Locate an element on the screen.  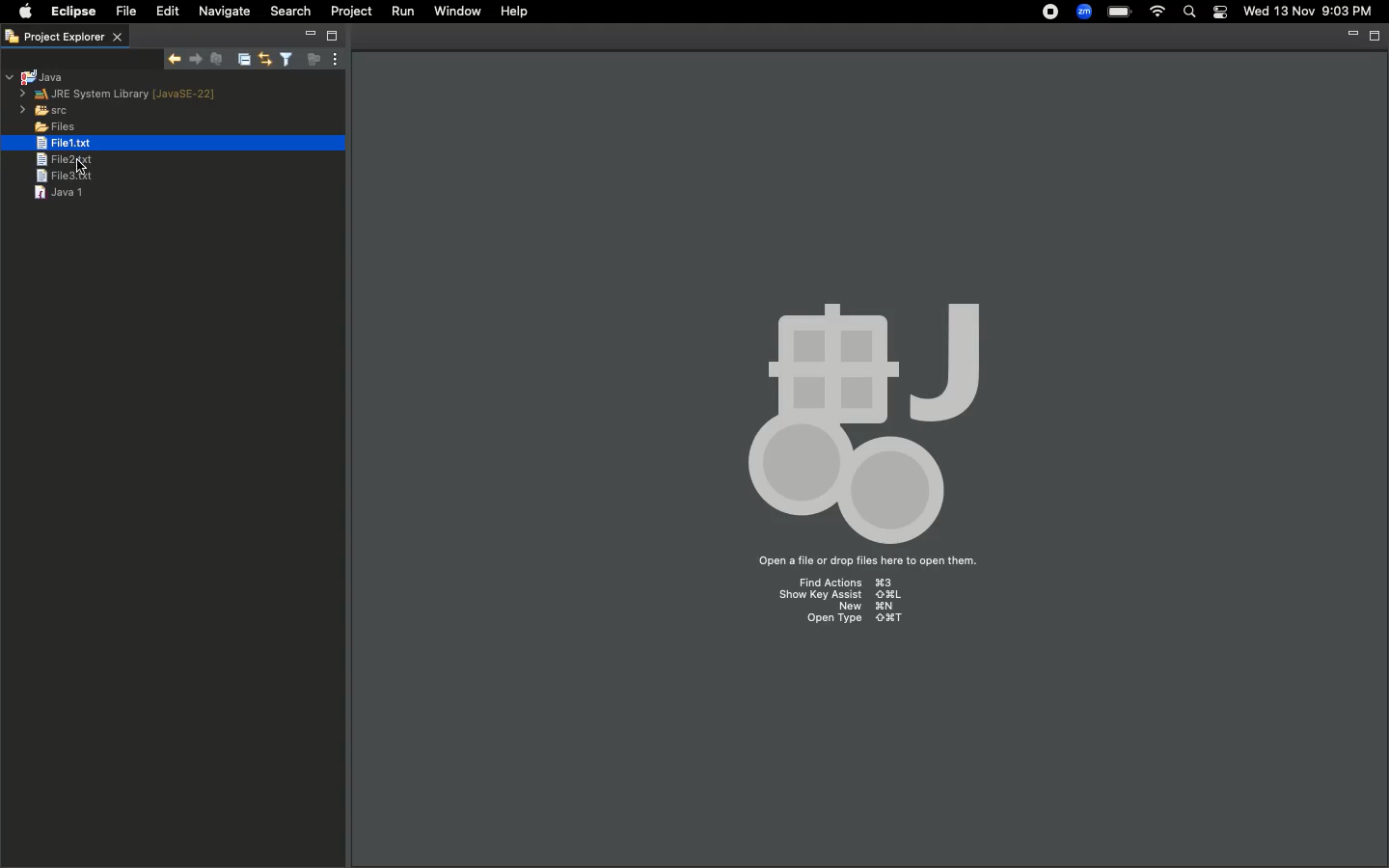
Eclipse is located at coordinates (70, 12).